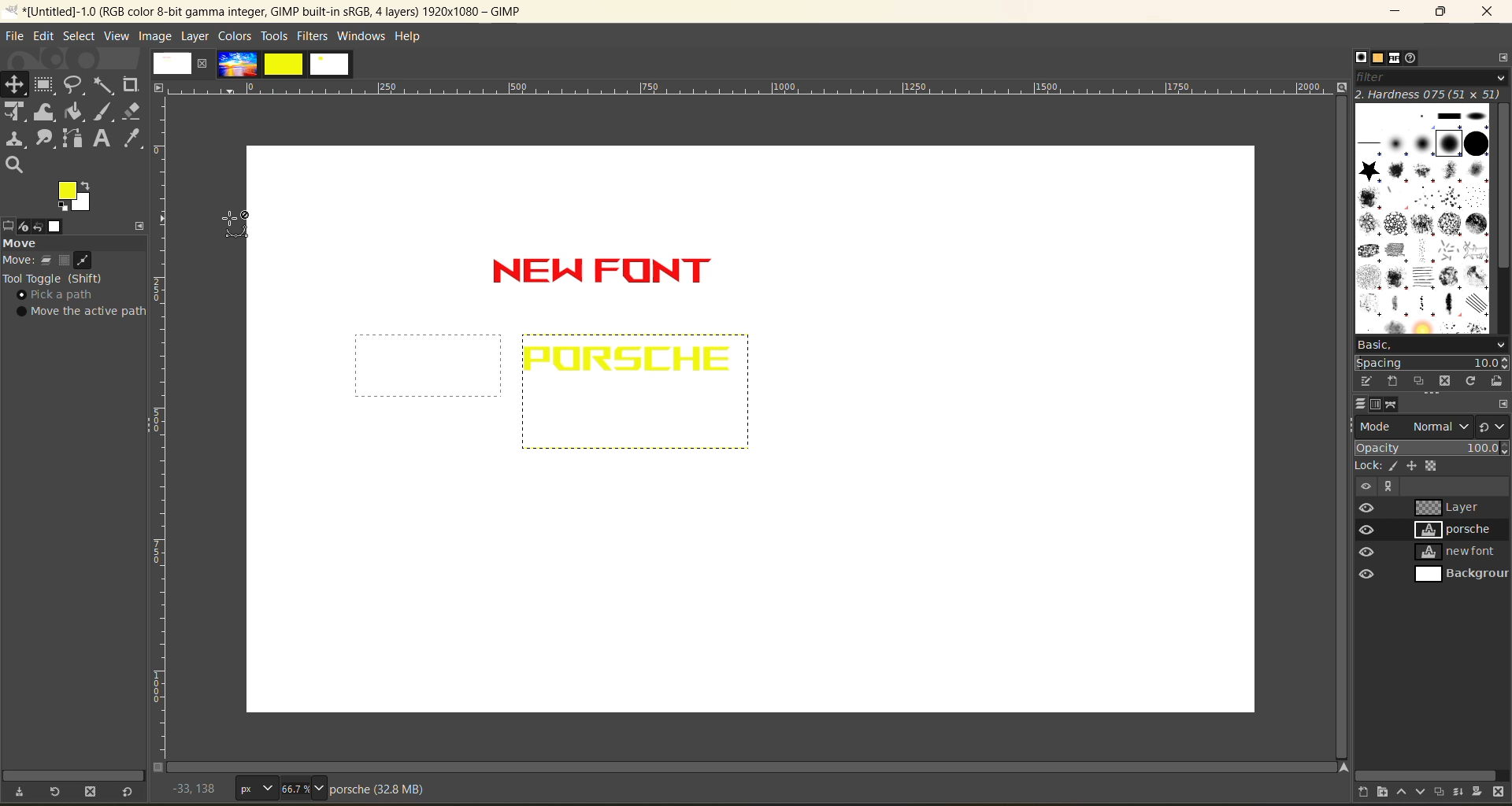 Image resolution: width=1512 pixels, height=806 pixels. I want to click on duplicate this brush, so click(1410, 380).